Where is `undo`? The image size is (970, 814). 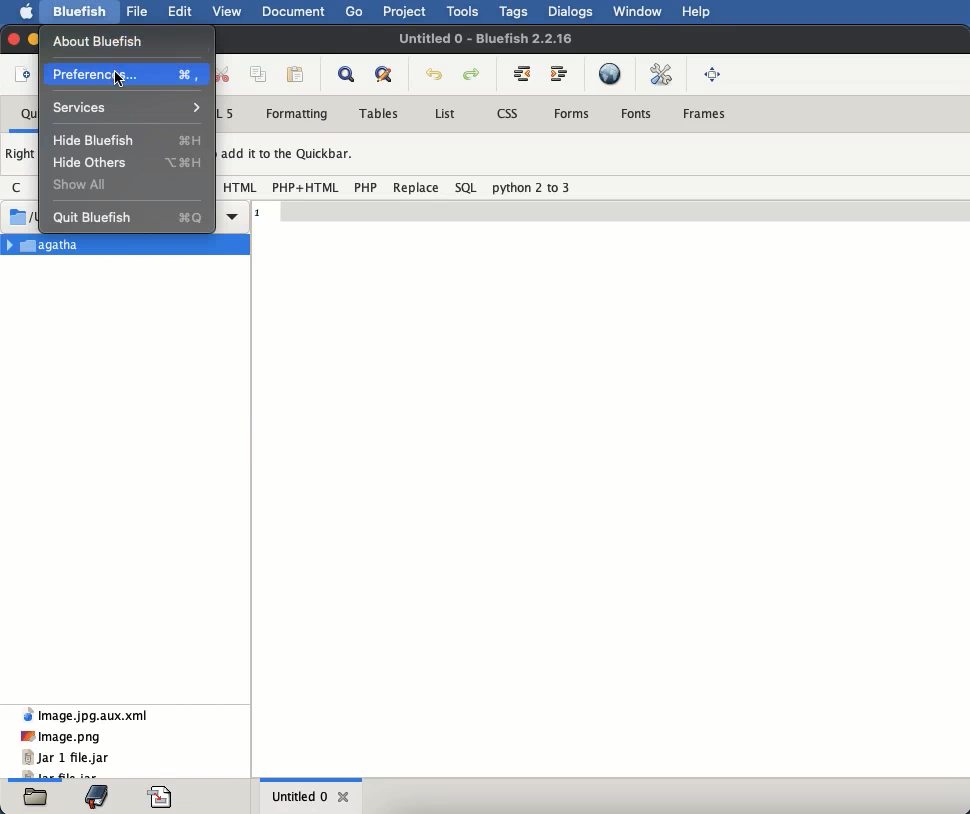 undo is located at coordinates (435, 75).